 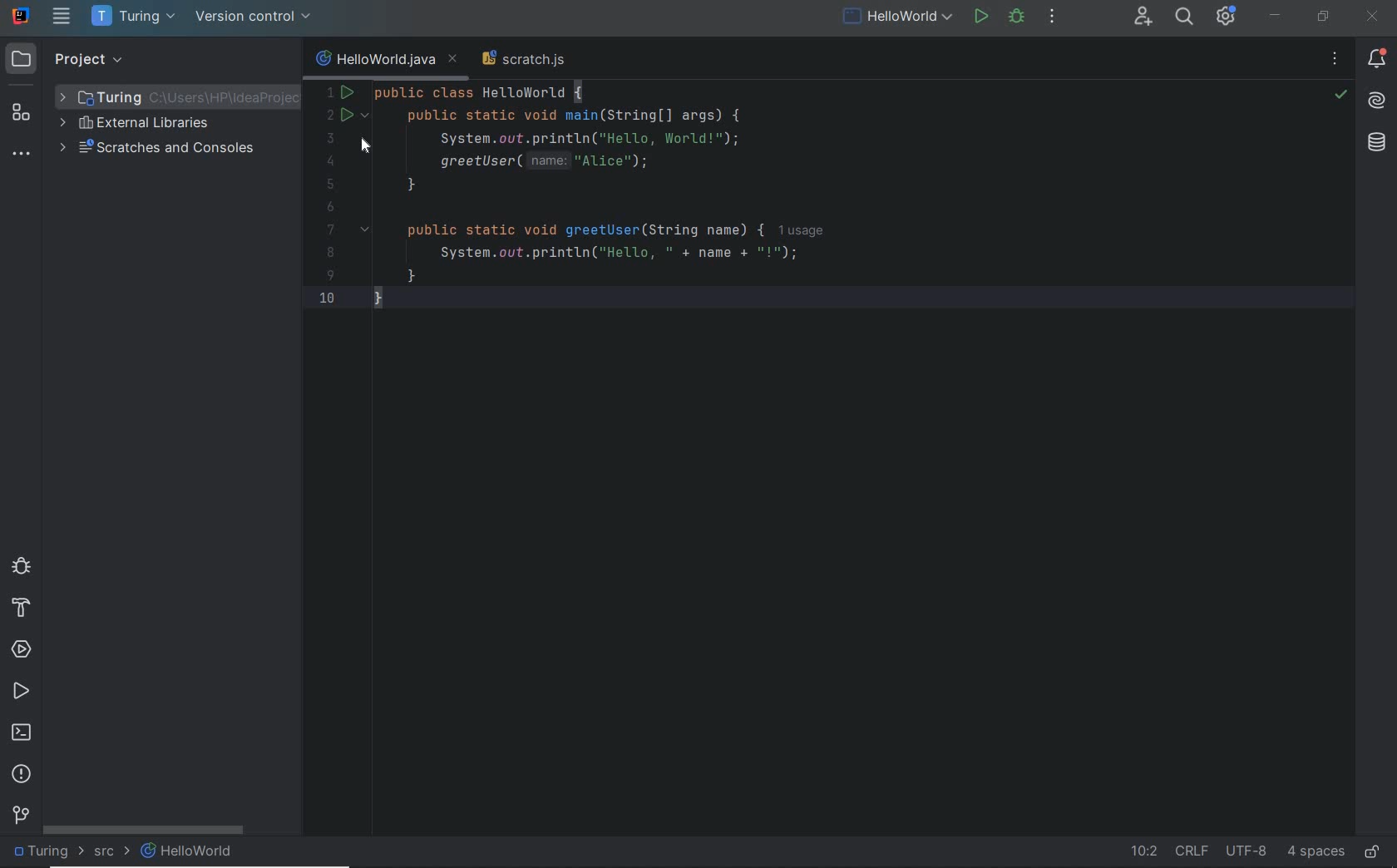 What do you see at coordinates (358, 152) in the screenshot?
I see `cursor` at bounding box center [358, 152].